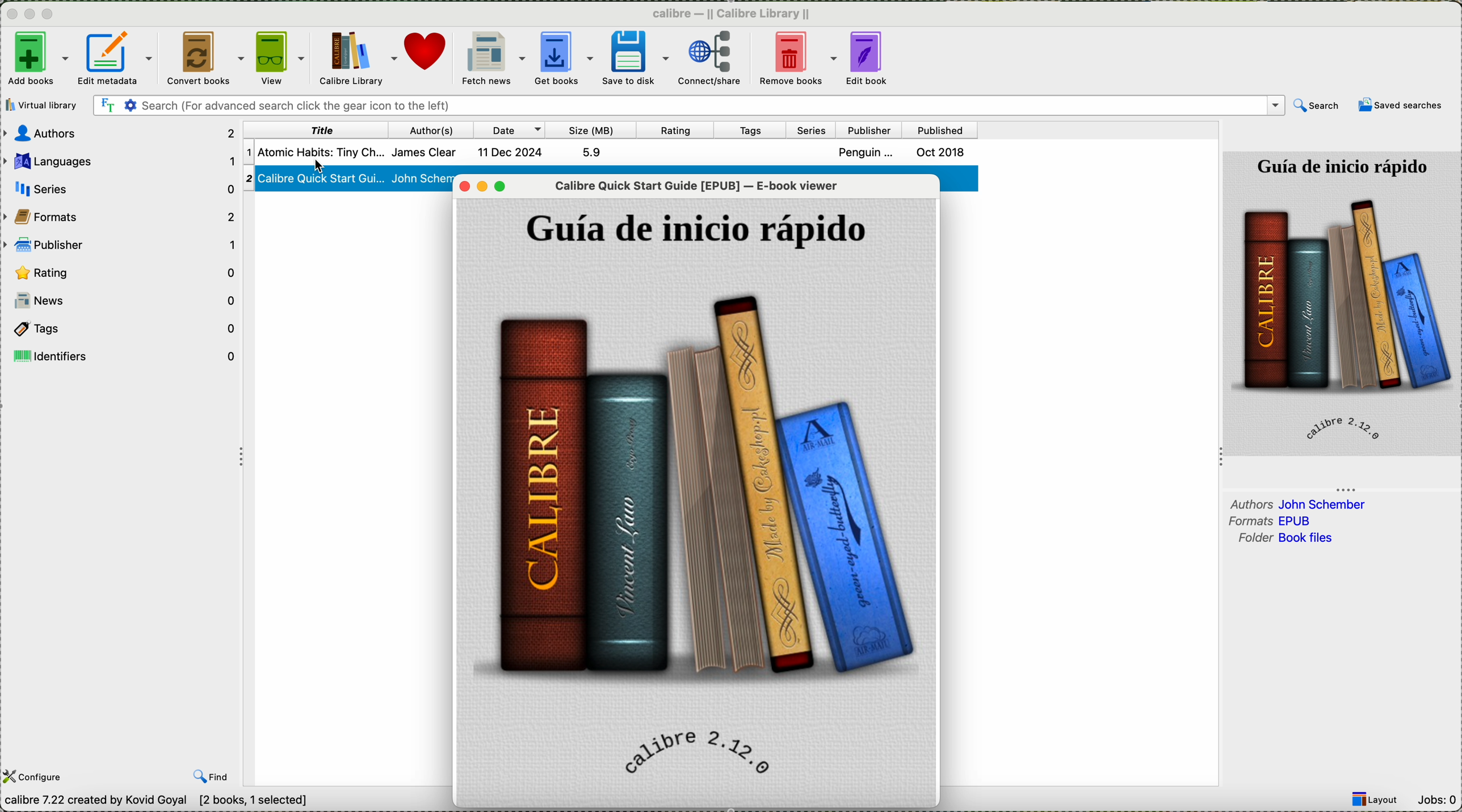 The image size is (1462, 812). I want to click on book cover, so click(697, 504).